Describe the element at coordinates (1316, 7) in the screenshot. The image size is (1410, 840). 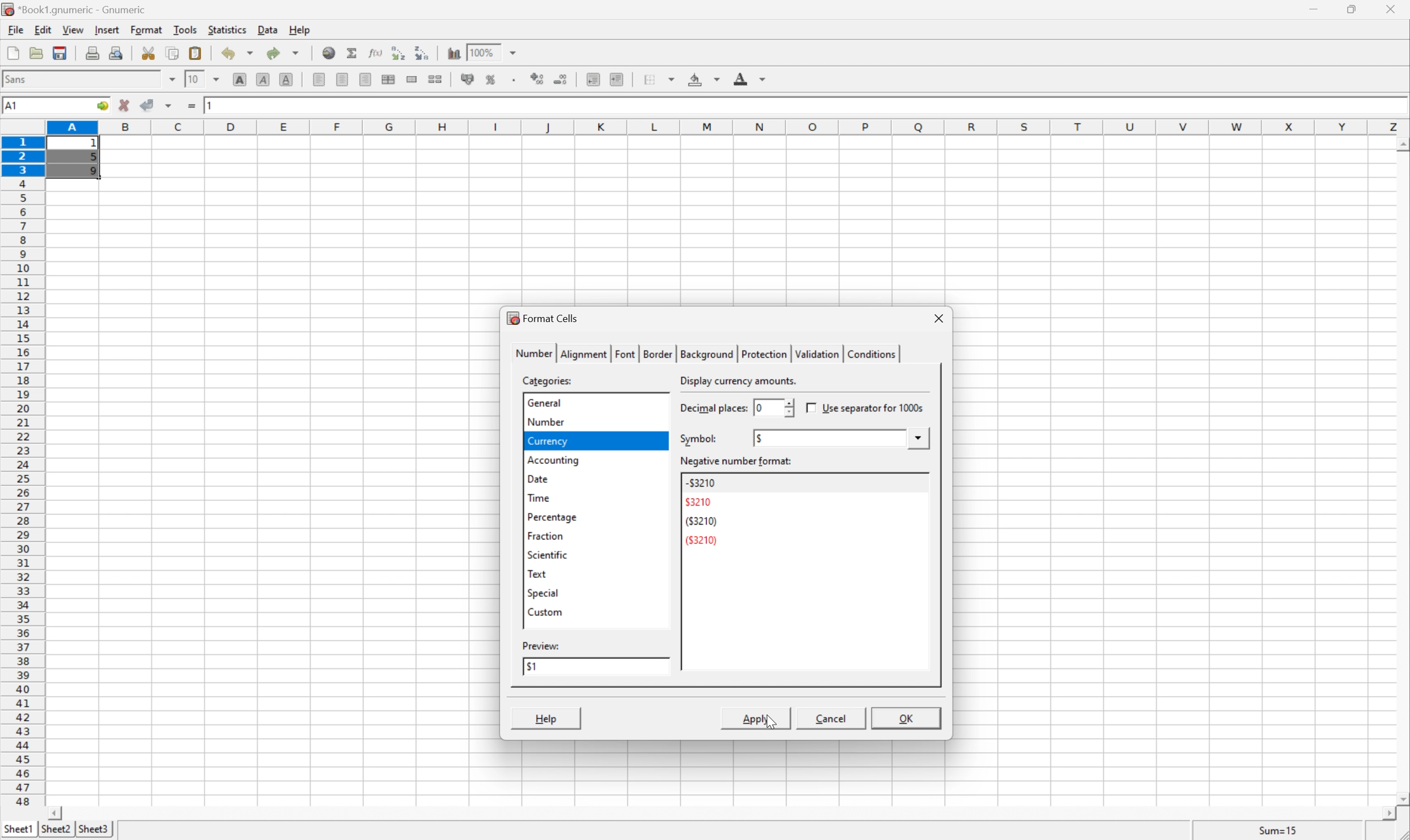
I see `minimize` at that location.